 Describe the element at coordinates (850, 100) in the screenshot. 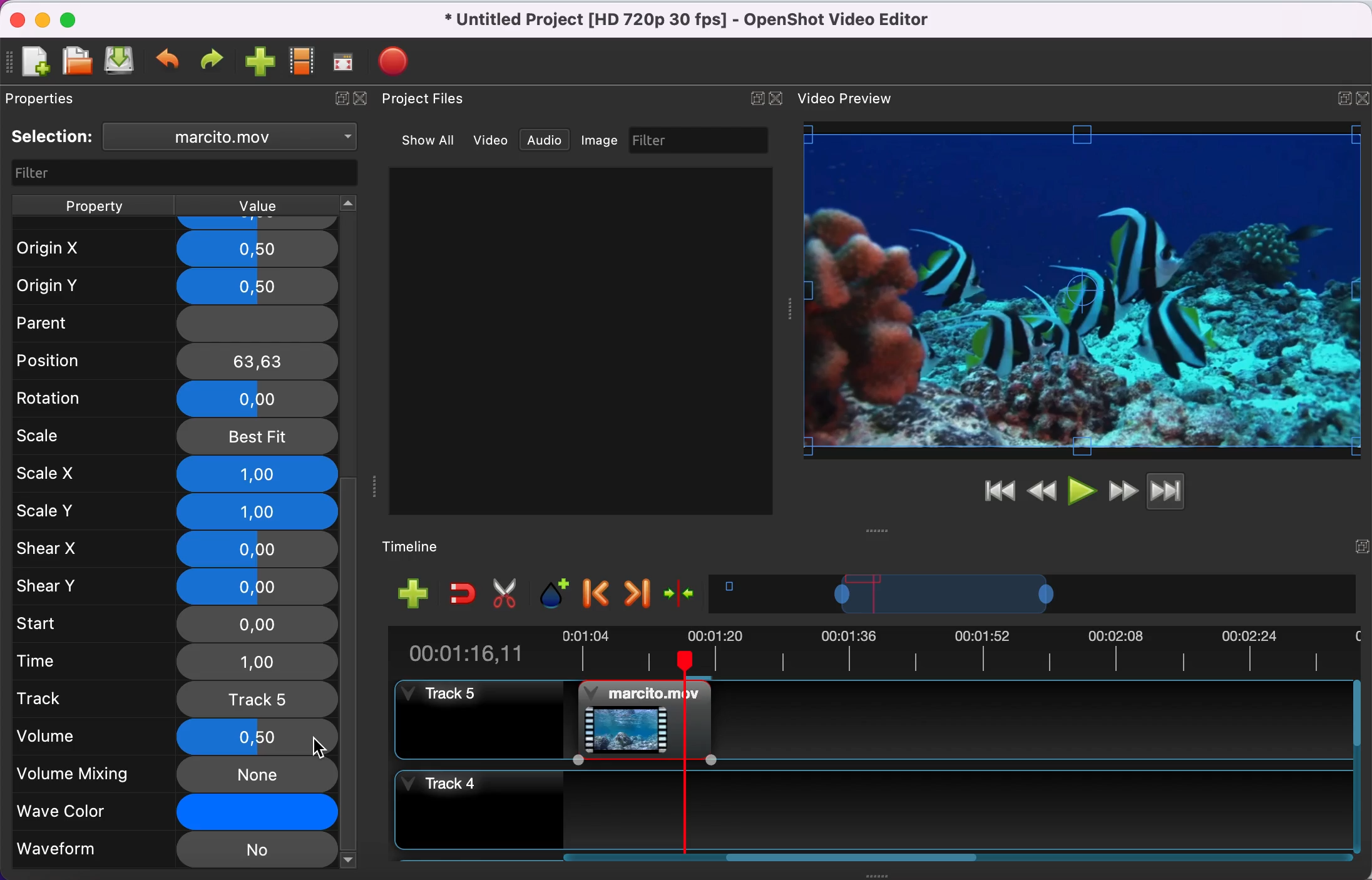

I see `video preview` at that location.